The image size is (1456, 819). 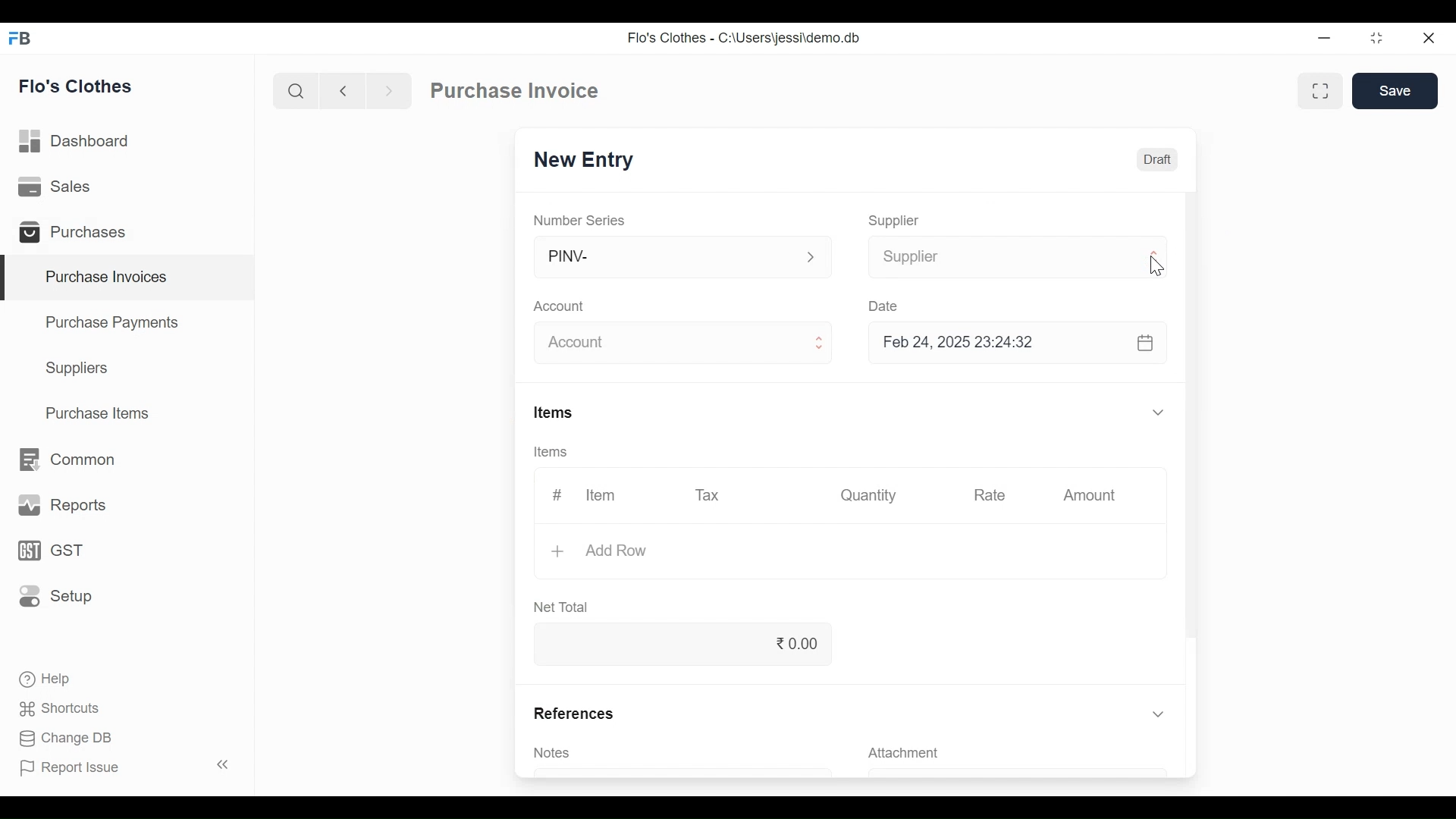 I want to click on Vertical Scroll bar, so click(x=1197, y=416).